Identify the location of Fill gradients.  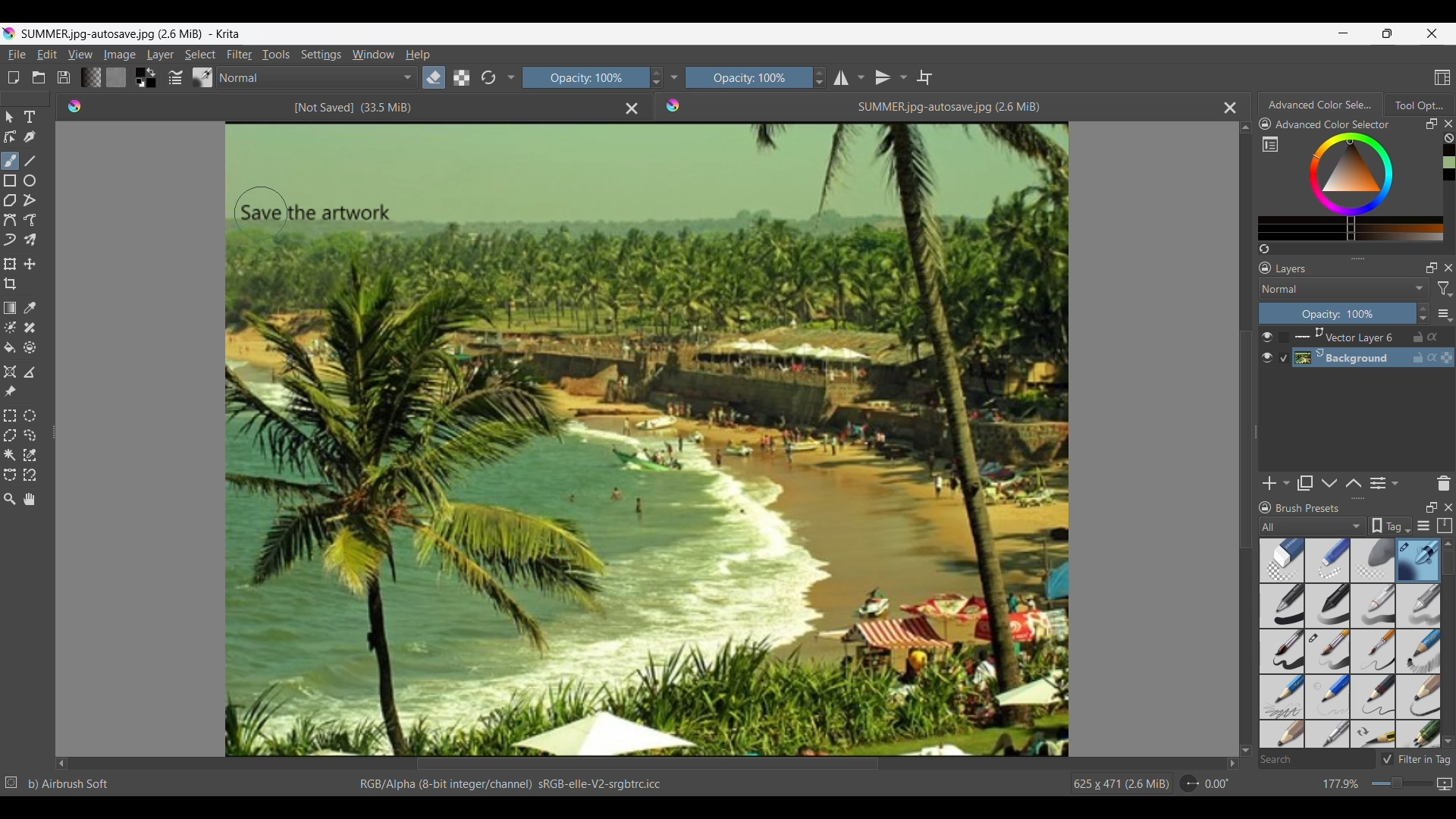
(91, 77).